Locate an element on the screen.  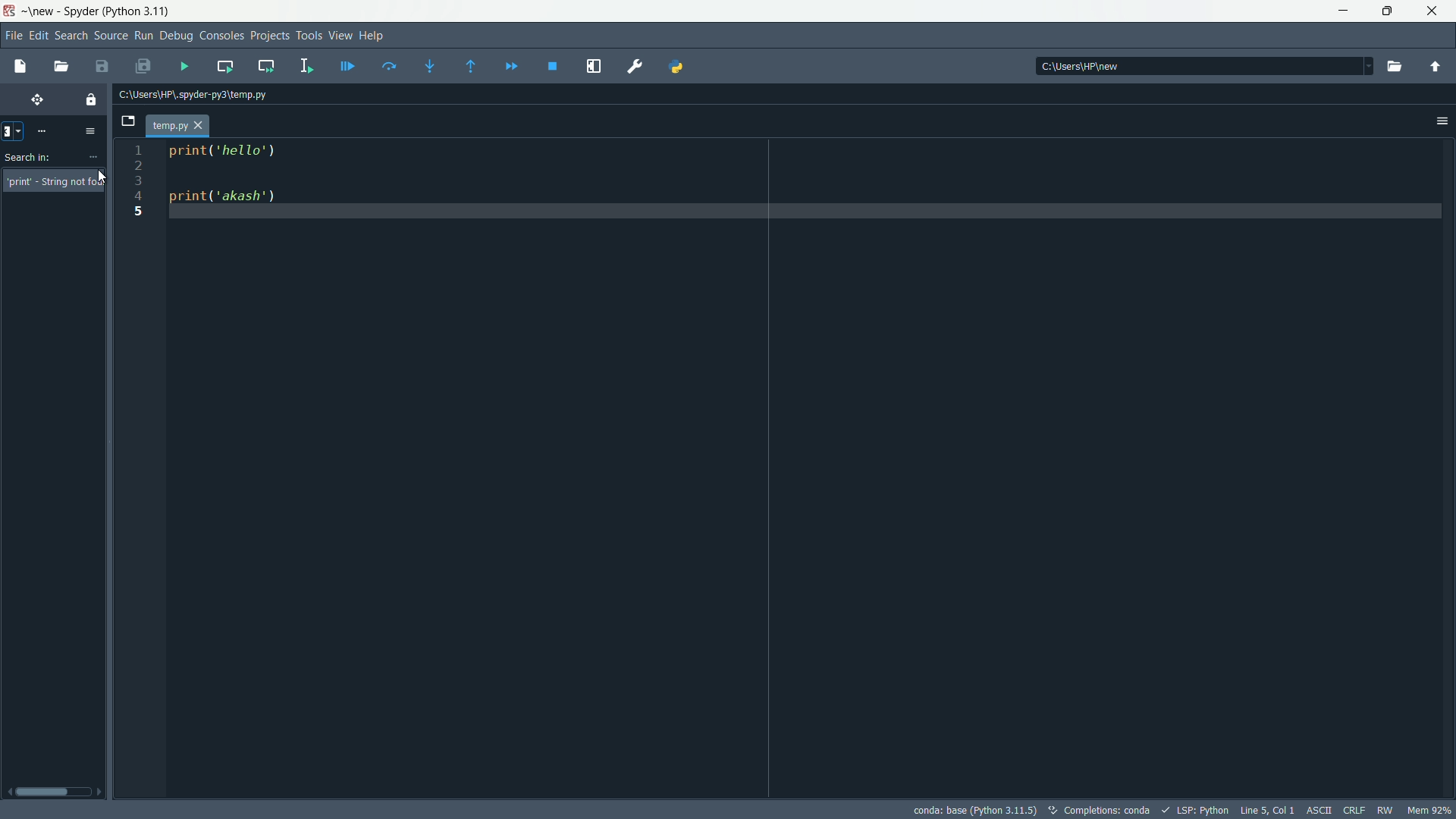
browse directory is located at coordinates (1392, 66).